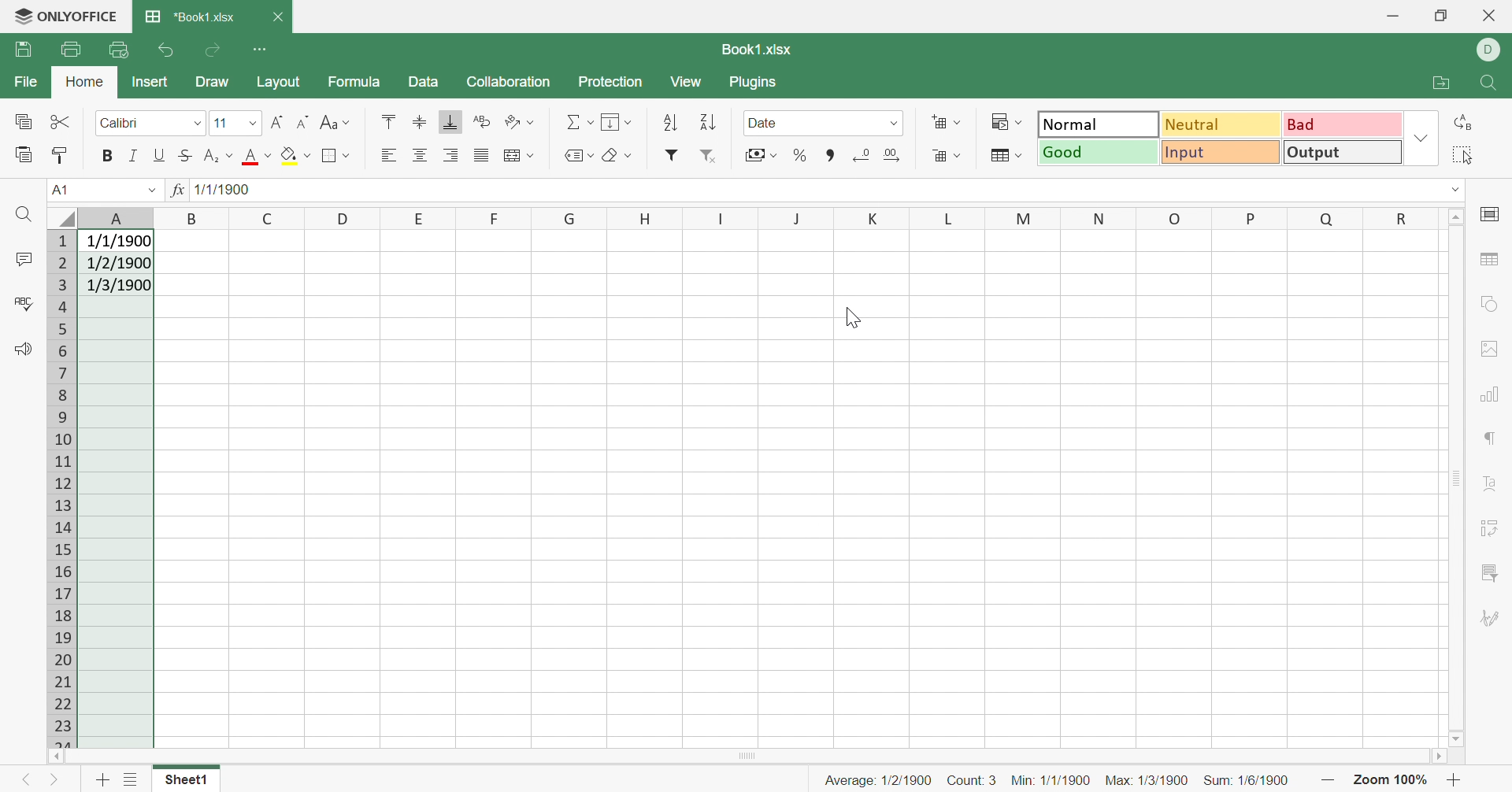  What do you see at coordinates (22, 349) in the screenshot?
I see `Feedback & Support` at bounding box center [22, 349].